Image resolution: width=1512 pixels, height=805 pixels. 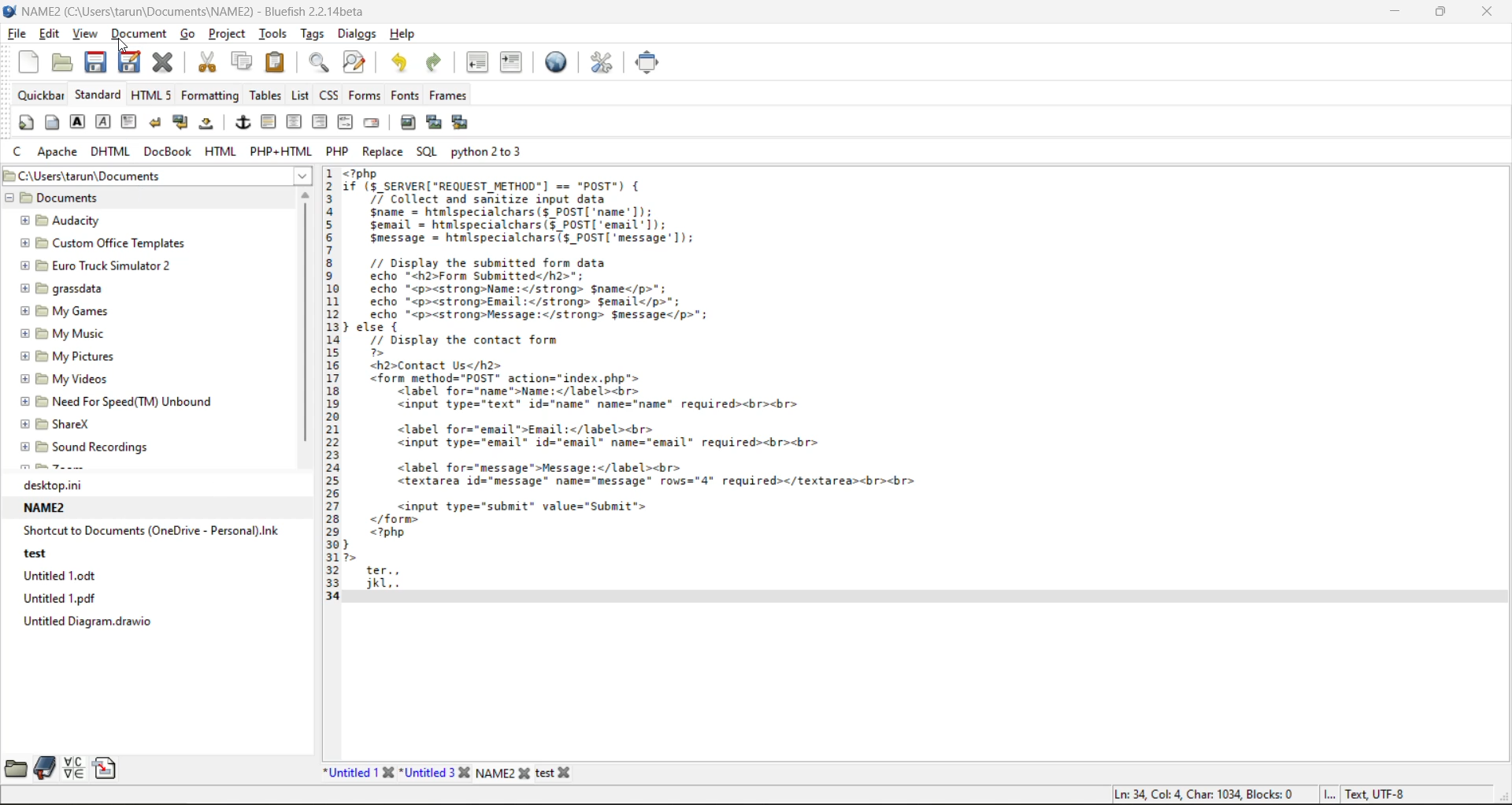 What do you see at coordinates (57, 150) in the screenshot?
I see `apache` at bounding box center [57, 150].